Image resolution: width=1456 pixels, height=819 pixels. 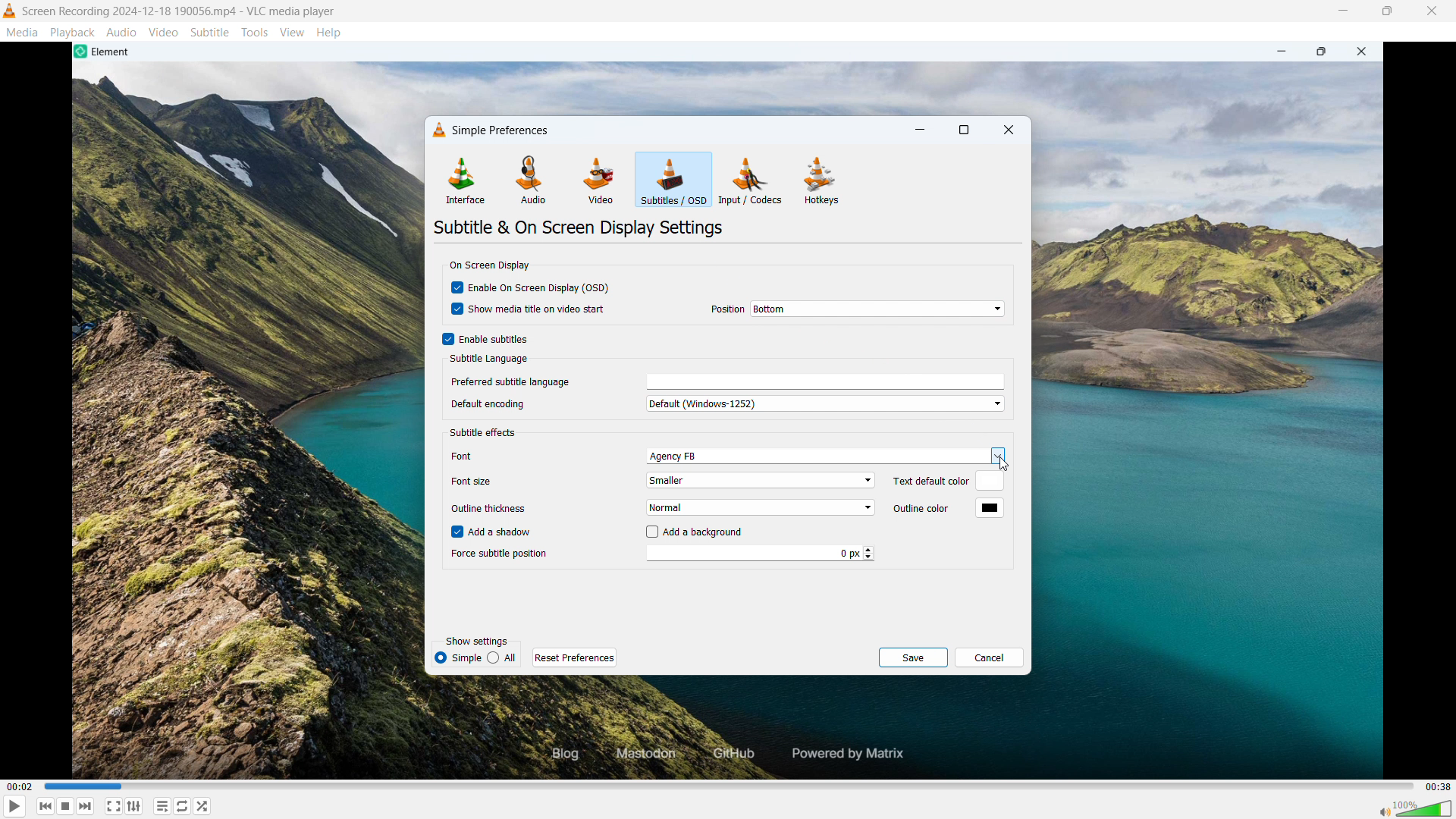 I want to click on Outline thickness, so click(x=487, y=510).